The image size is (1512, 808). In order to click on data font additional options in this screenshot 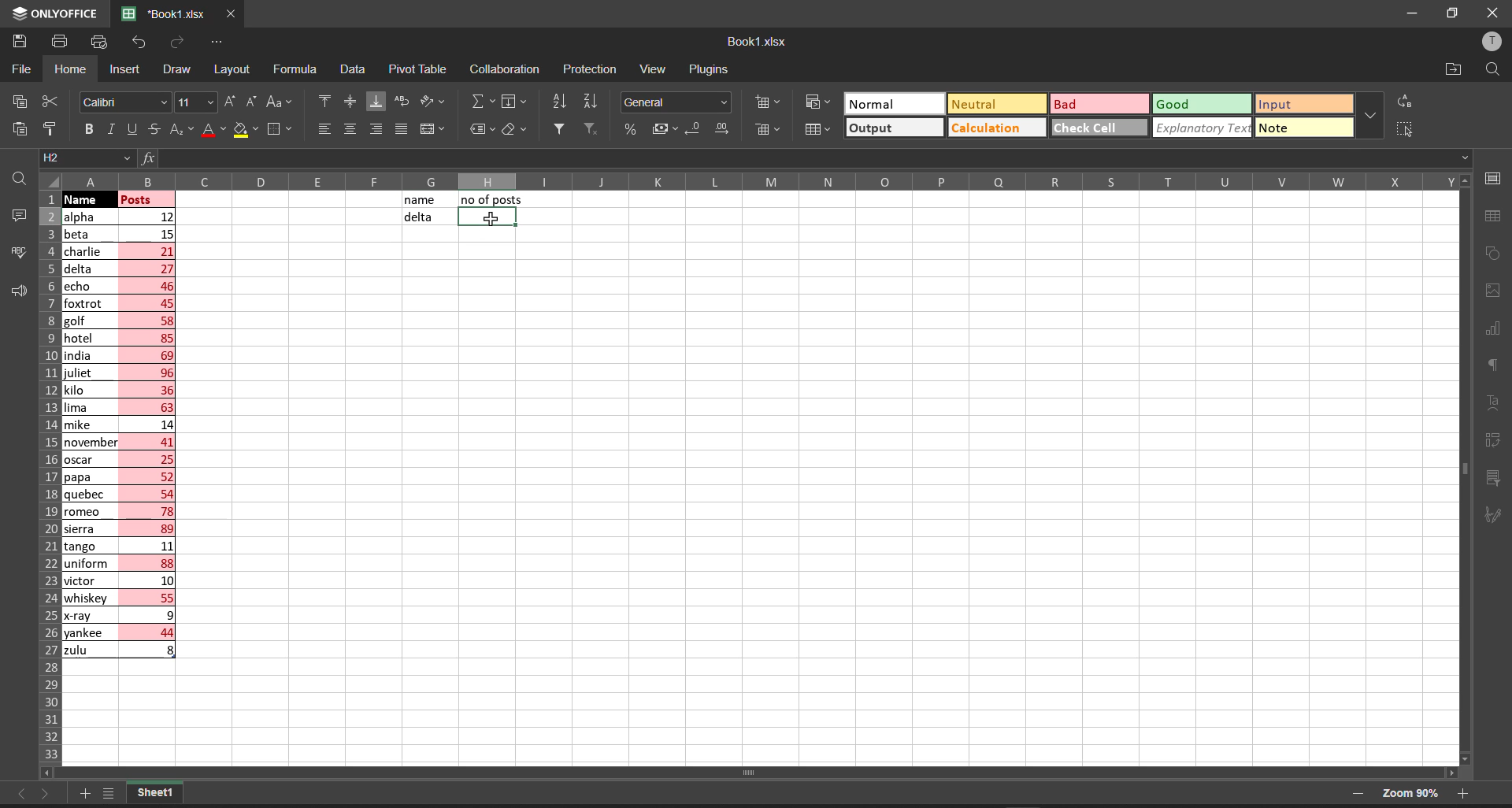, I will do `click(1369, 112)`.